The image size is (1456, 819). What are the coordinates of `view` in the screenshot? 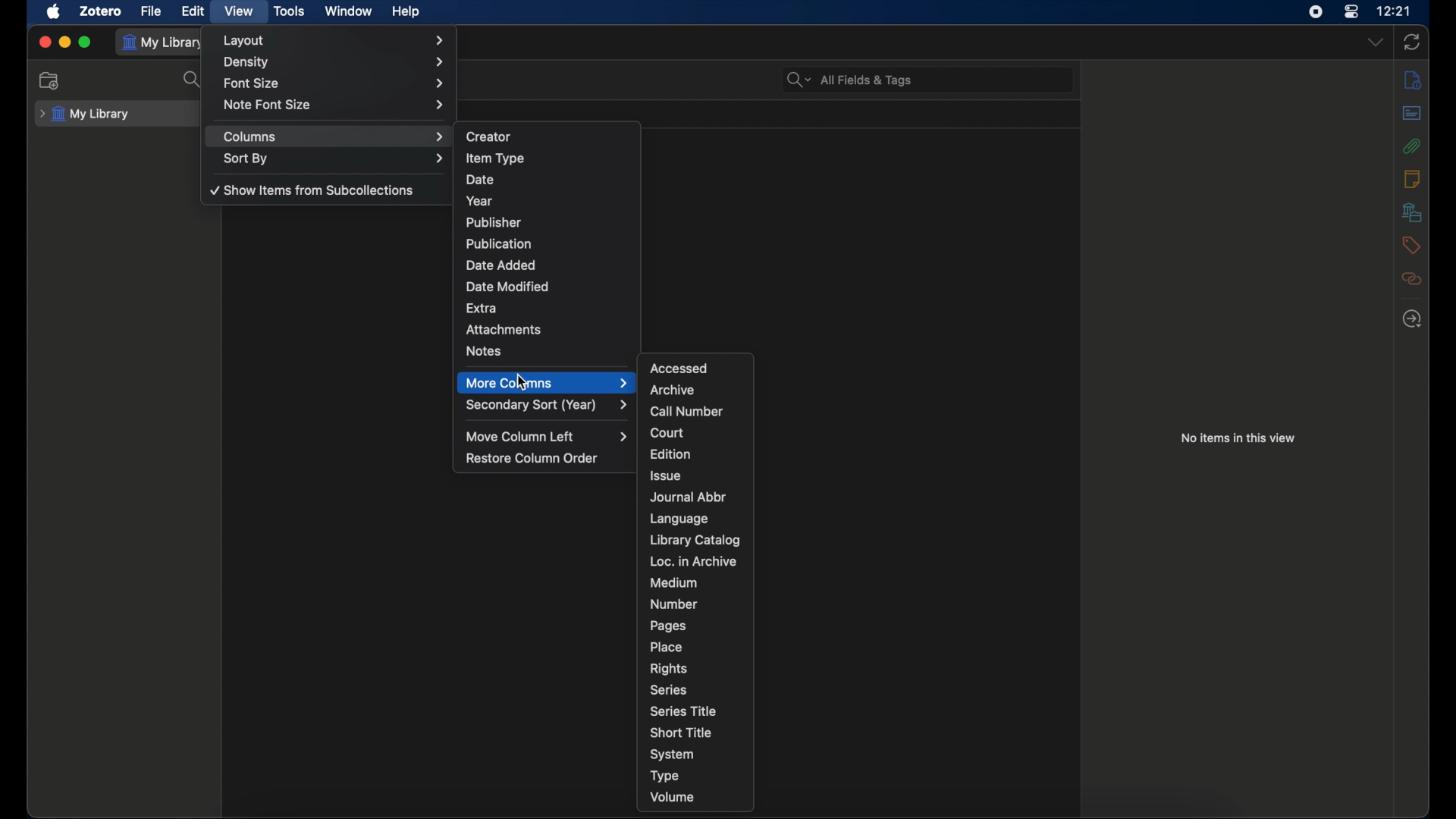 It's located at (240, 11).